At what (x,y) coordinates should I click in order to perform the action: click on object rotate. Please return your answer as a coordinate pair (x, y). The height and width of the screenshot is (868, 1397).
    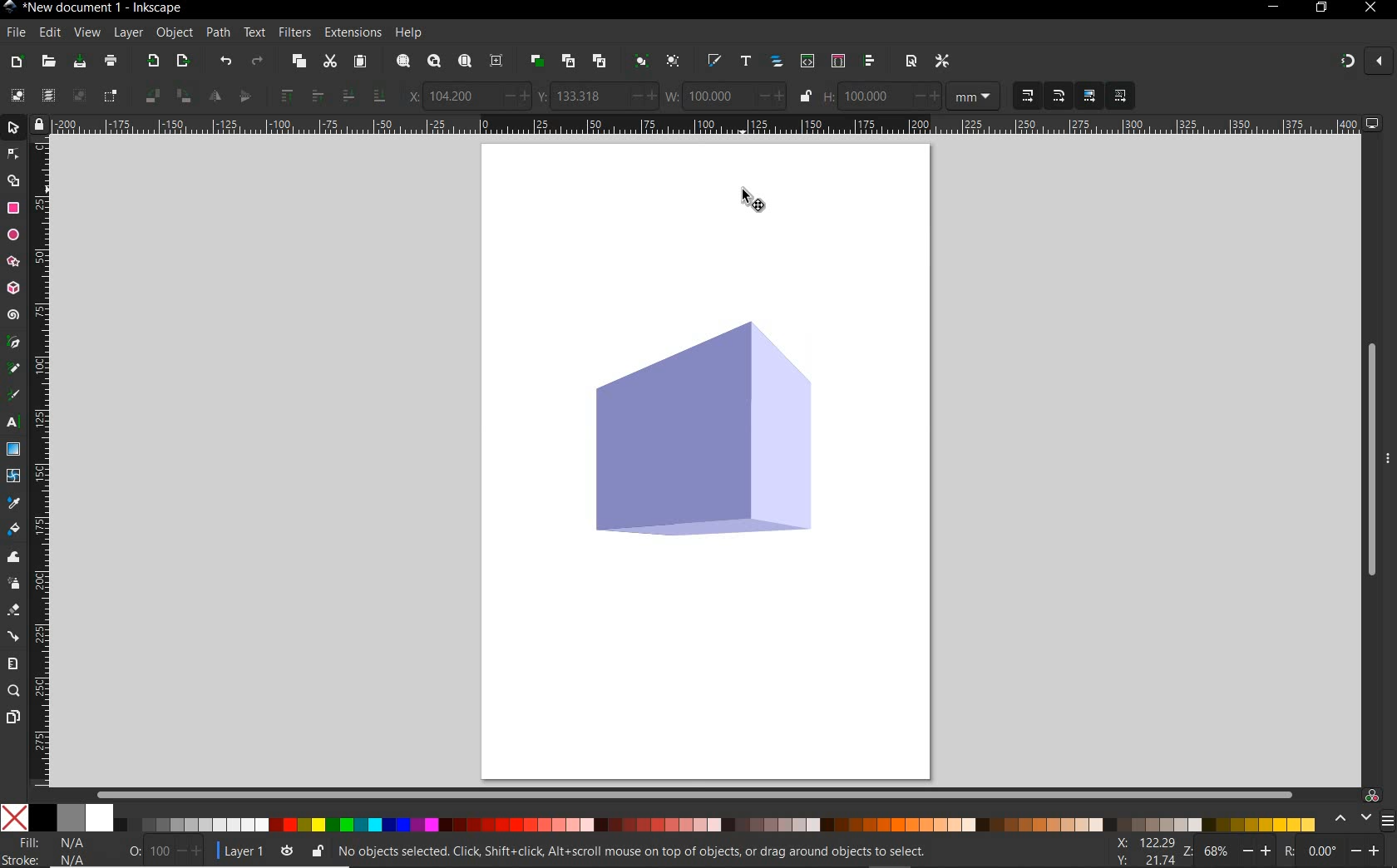
    Looking at the image, I should click on (151, 96).